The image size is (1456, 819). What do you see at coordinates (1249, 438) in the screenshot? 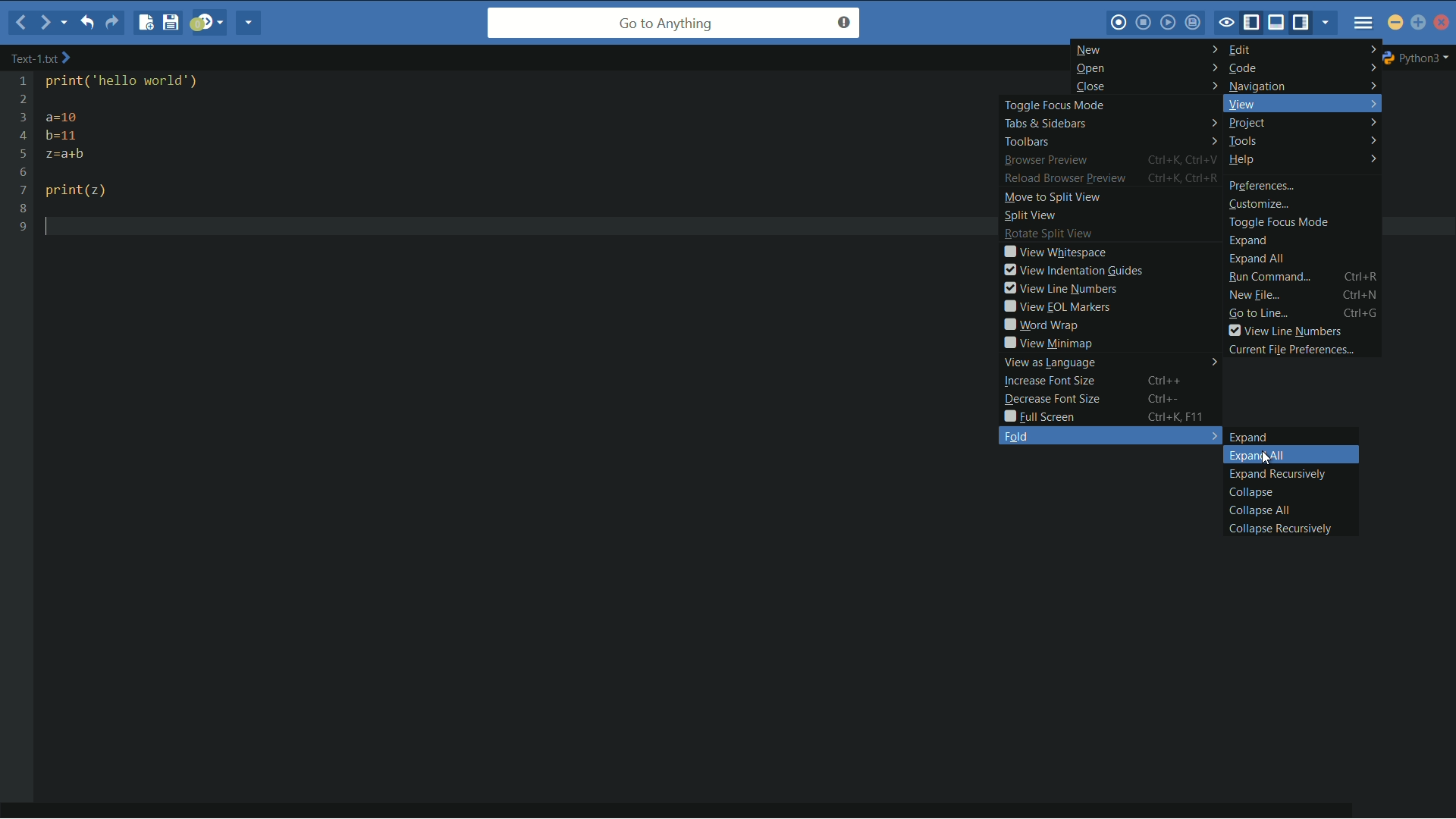
I see `expand` at bounding box center [1249, 438].